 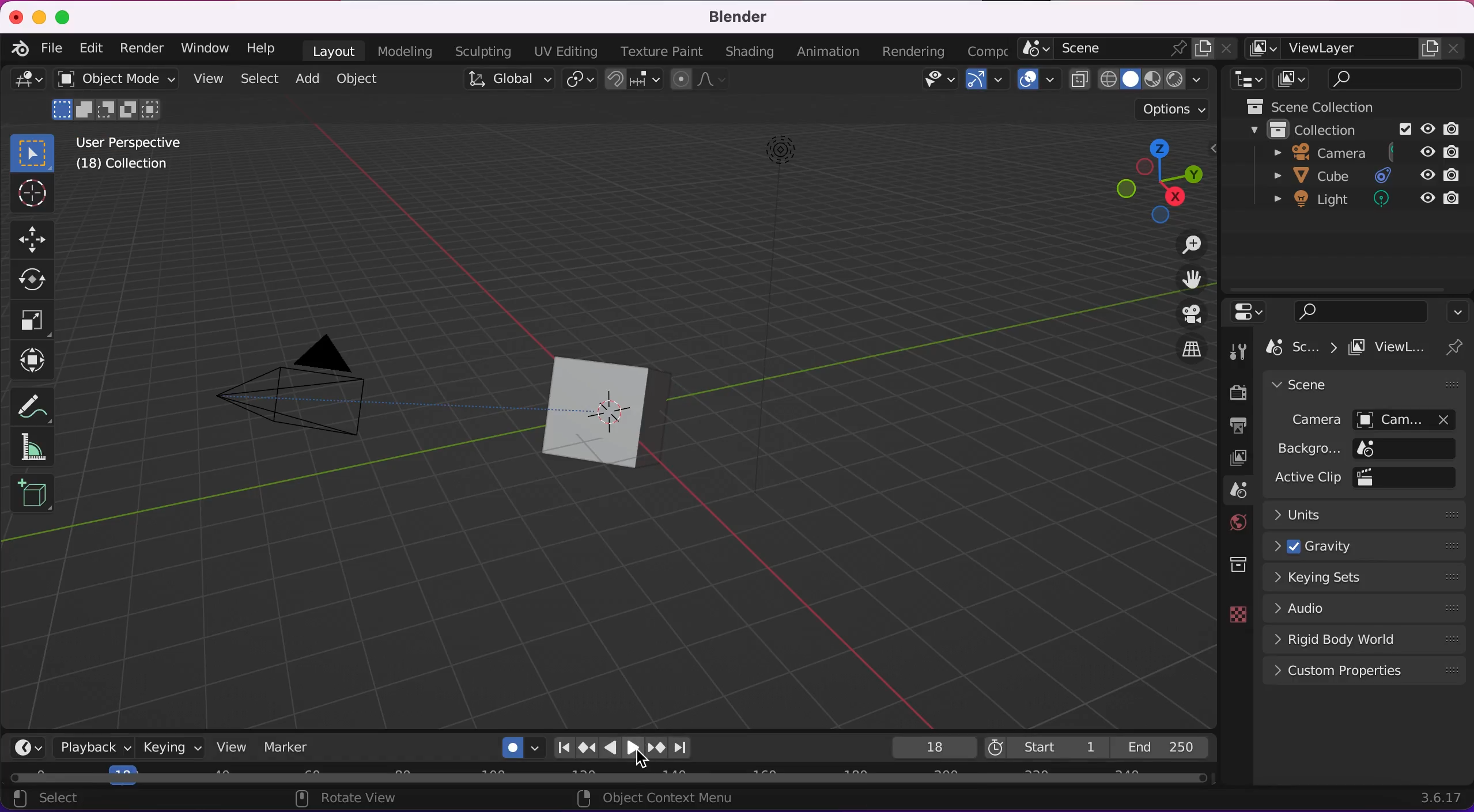 What do you see at coordinates (734, 17) in the screenshot?
I see `blender` at bounding box center [734, 17].